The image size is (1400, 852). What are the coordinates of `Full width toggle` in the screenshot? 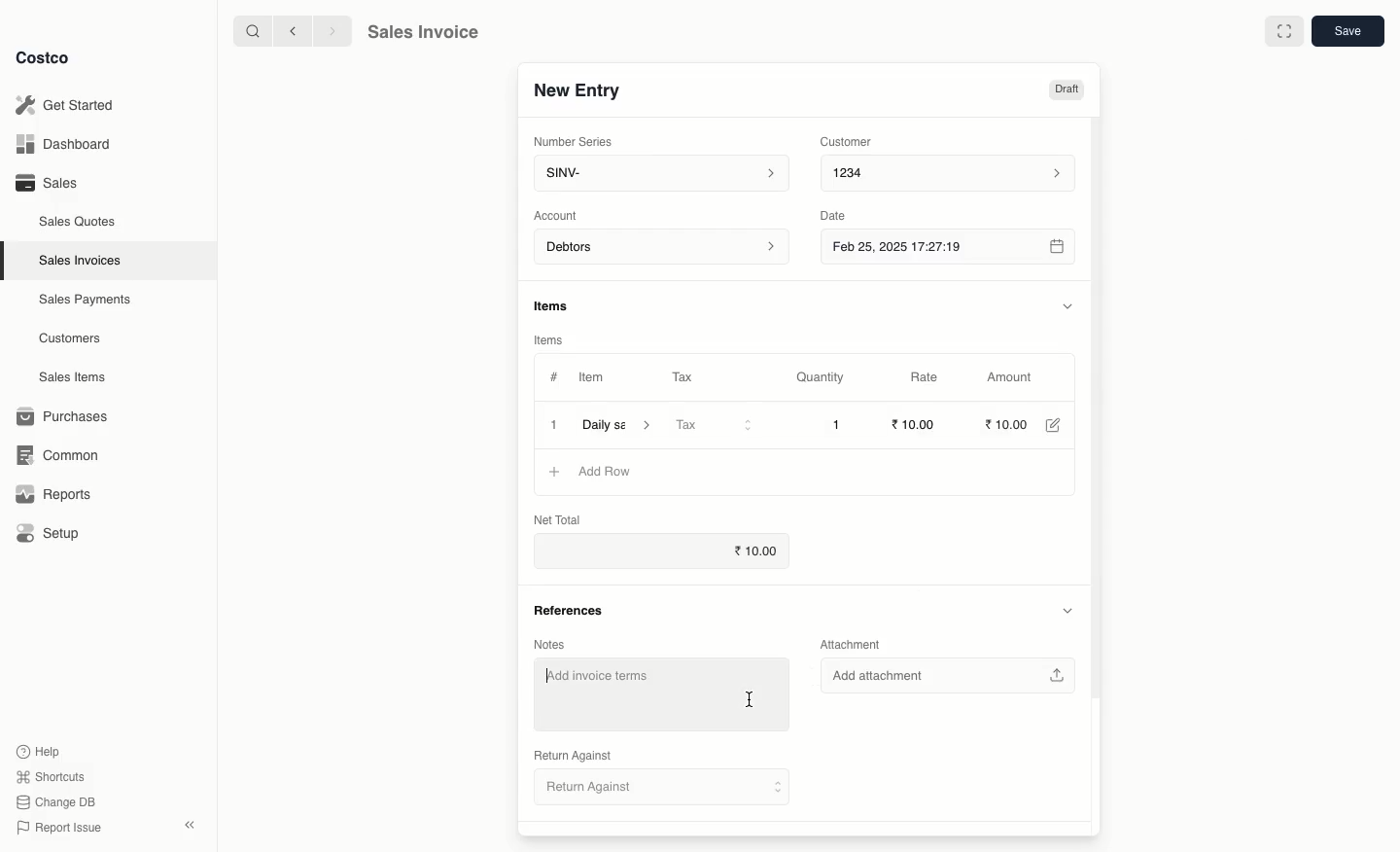 It's located at (1283, 30).